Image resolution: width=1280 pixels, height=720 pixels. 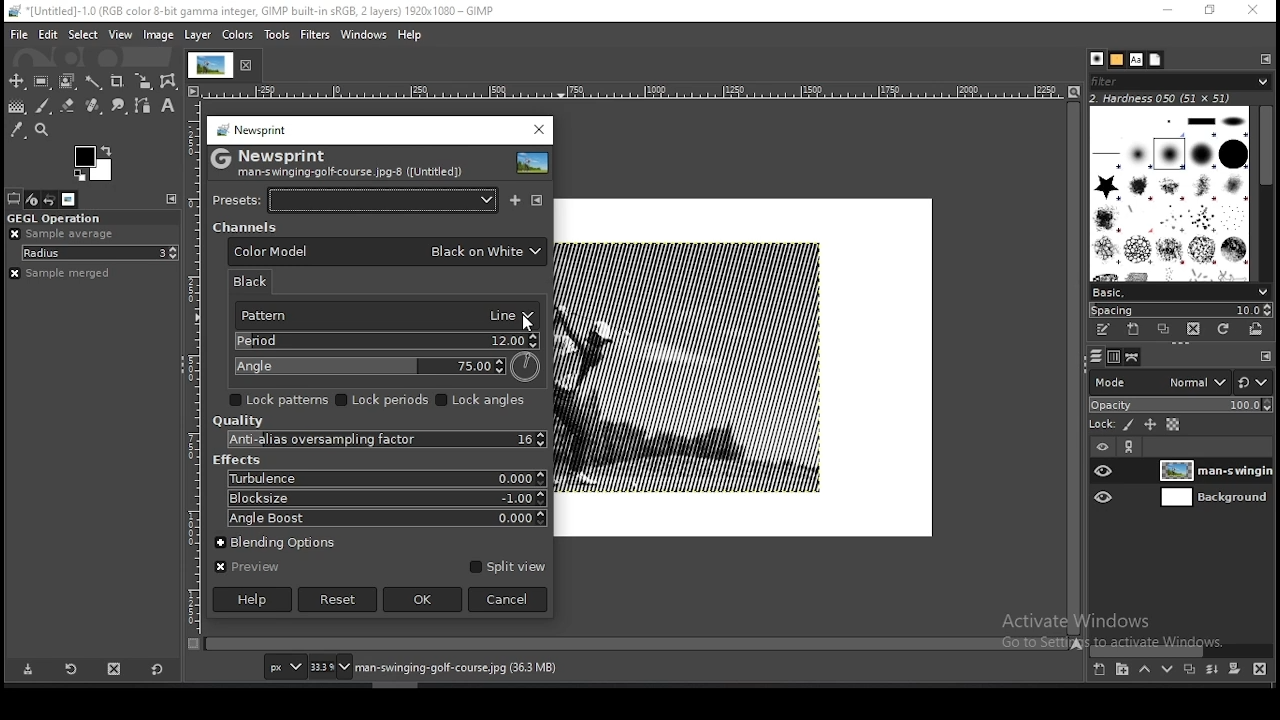 I want to click on presets, so click(x=358, y=199).